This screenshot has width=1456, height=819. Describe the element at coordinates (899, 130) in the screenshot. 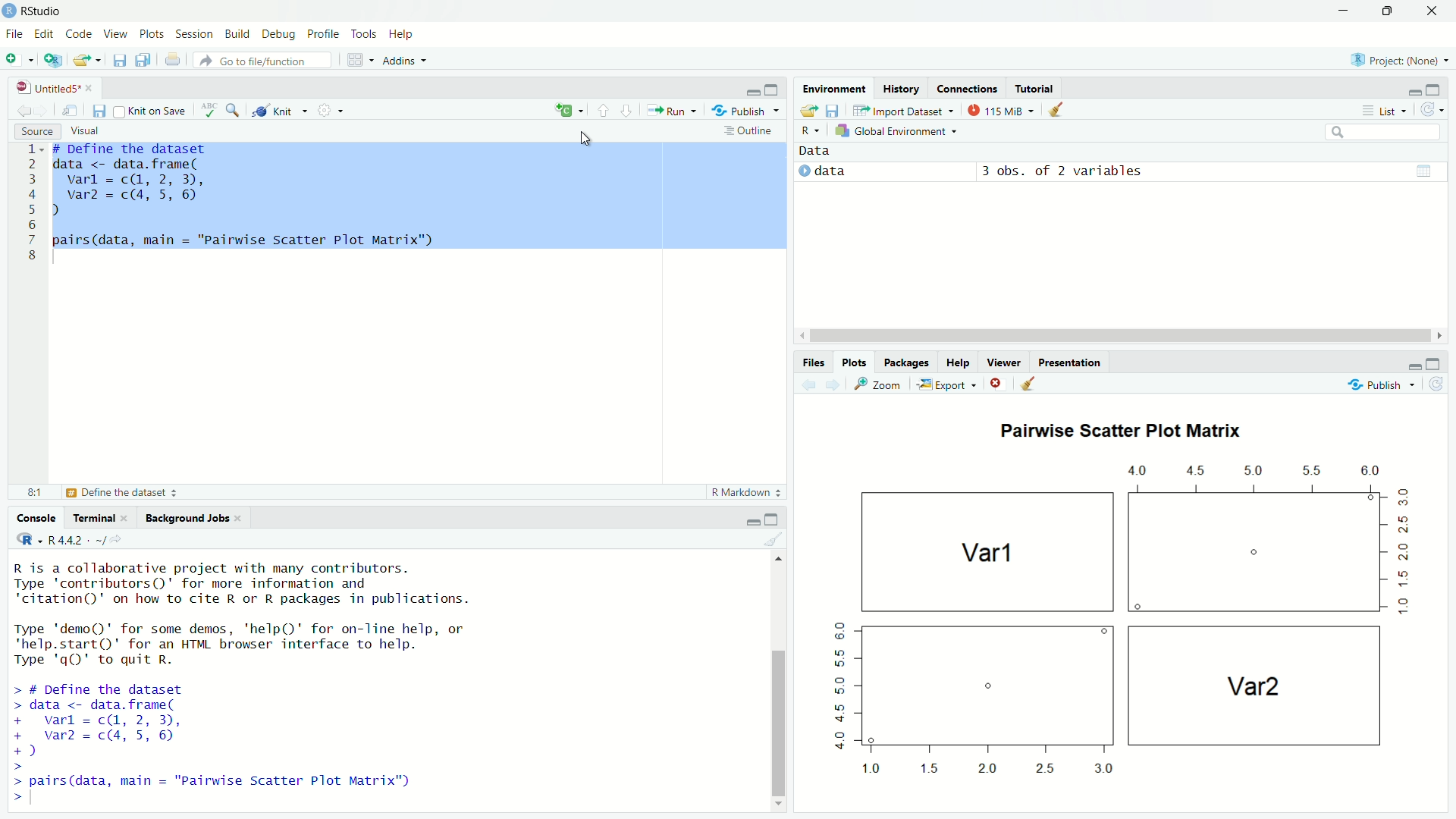

I see `Global Environment` at that location.